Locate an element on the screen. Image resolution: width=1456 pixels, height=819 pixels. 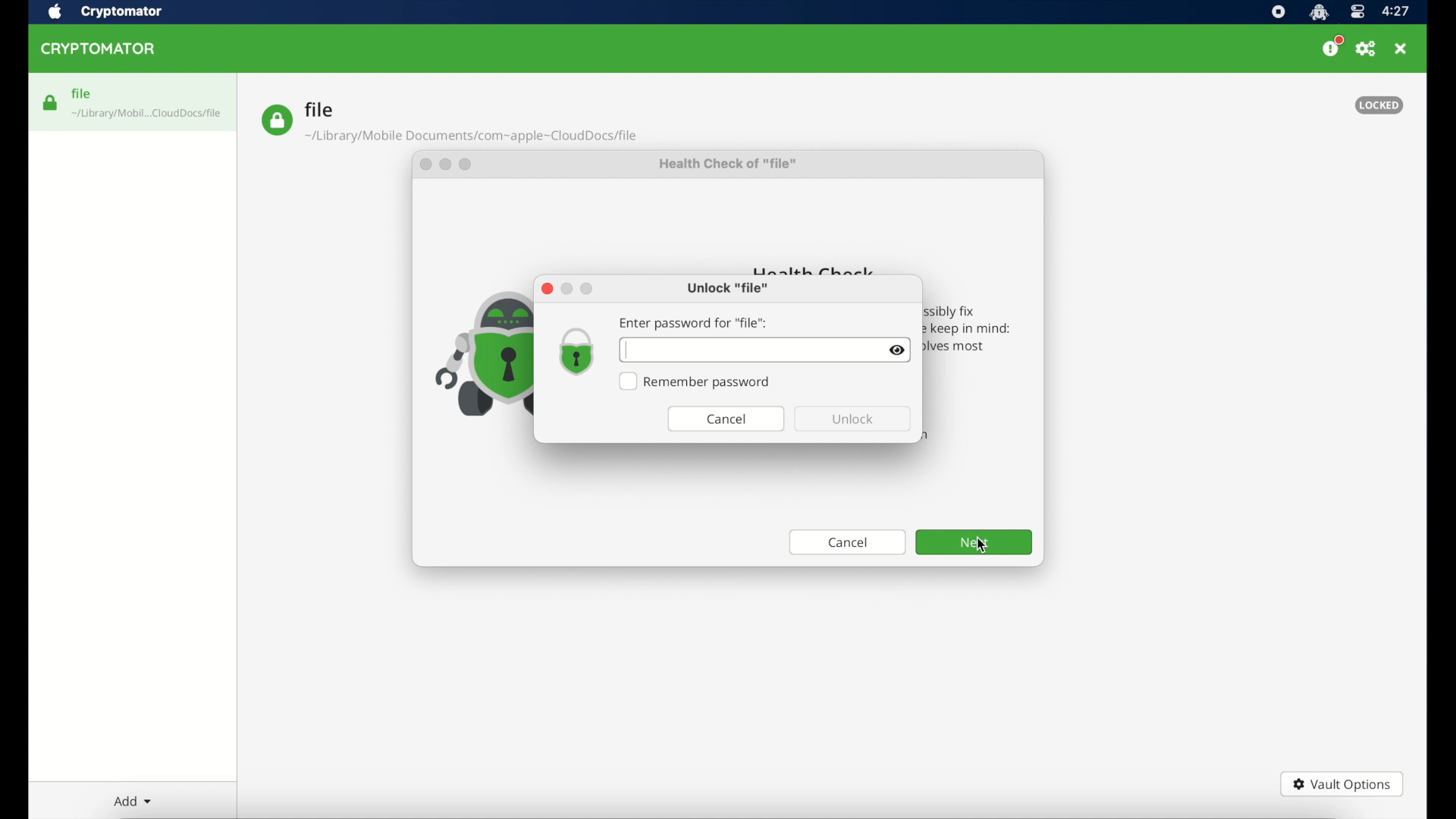
cryptomator is located at coordinates (122, 11).